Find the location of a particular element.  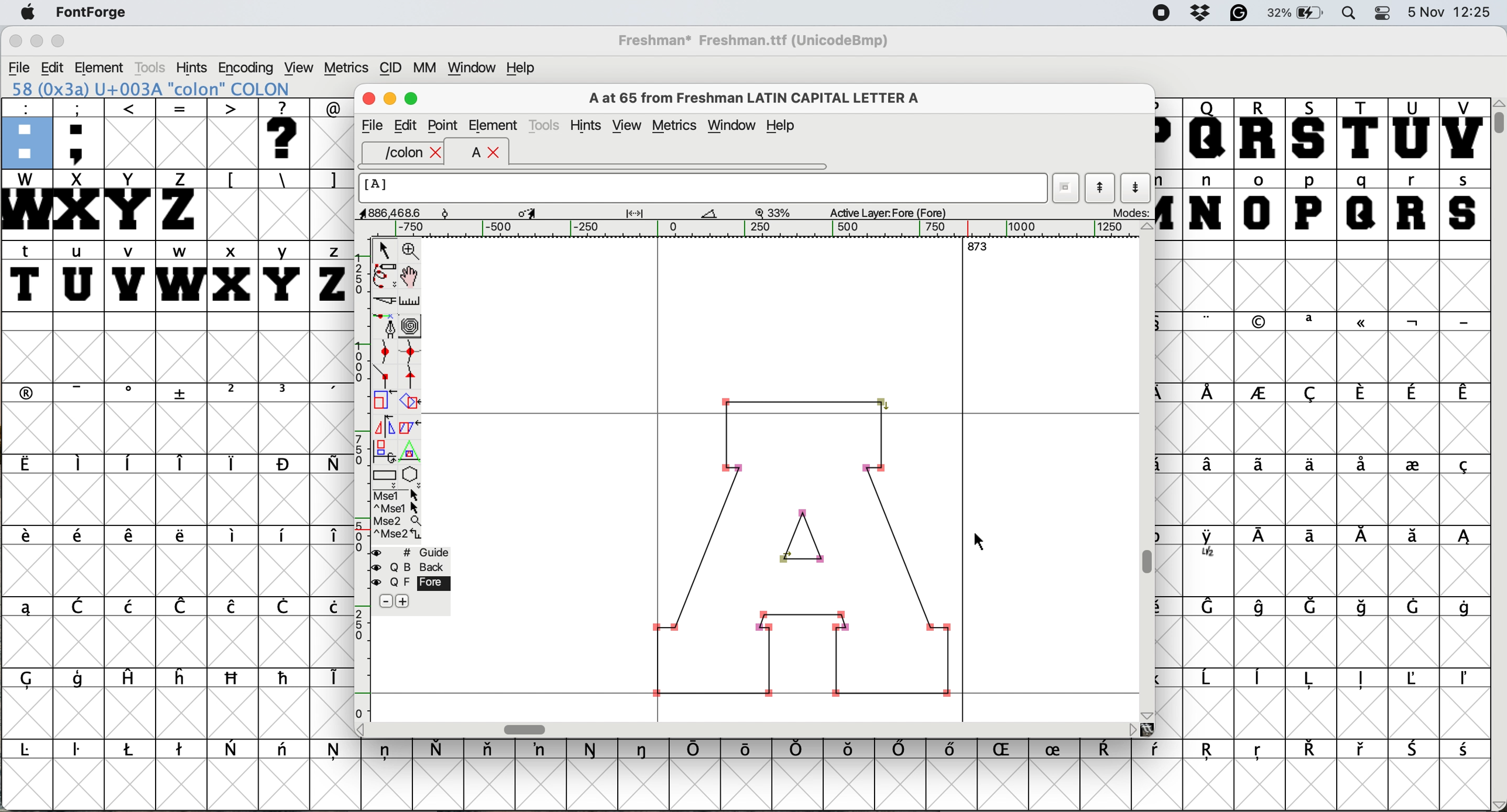

symbol is located at coordinates (1159, 751).